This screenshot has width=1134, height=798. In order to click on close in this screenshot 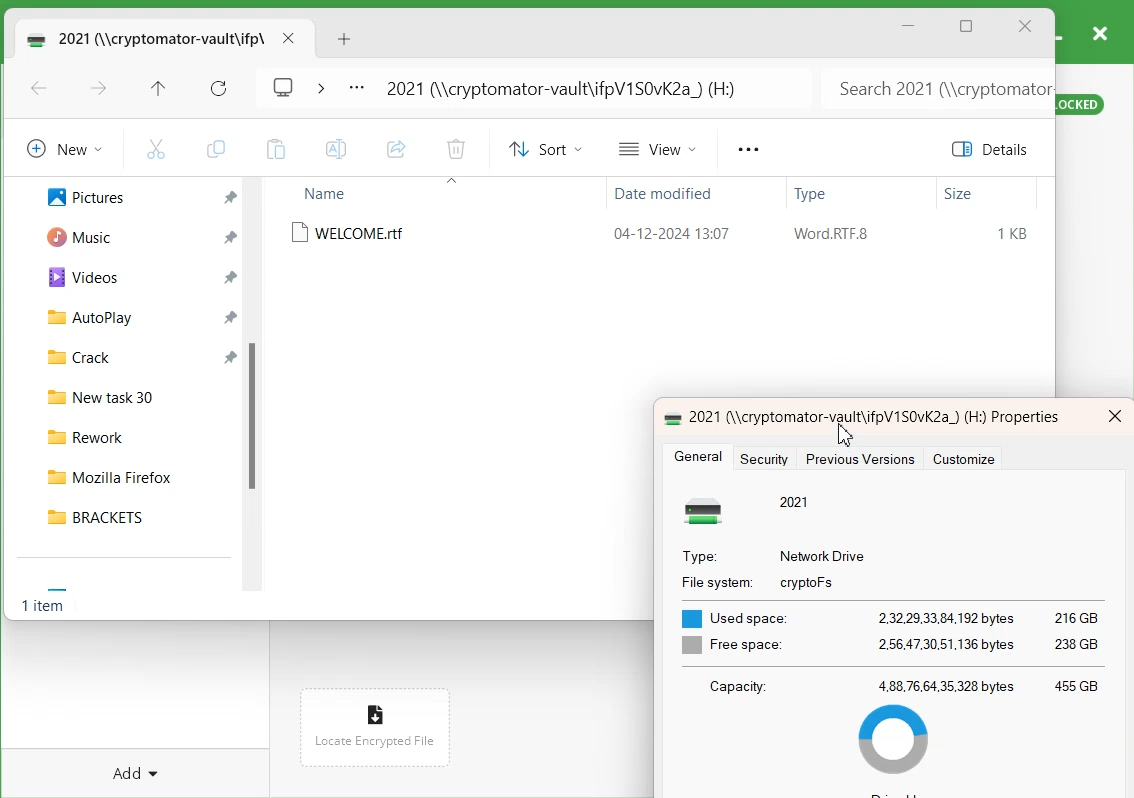, I will do `click(1115, 416)`.